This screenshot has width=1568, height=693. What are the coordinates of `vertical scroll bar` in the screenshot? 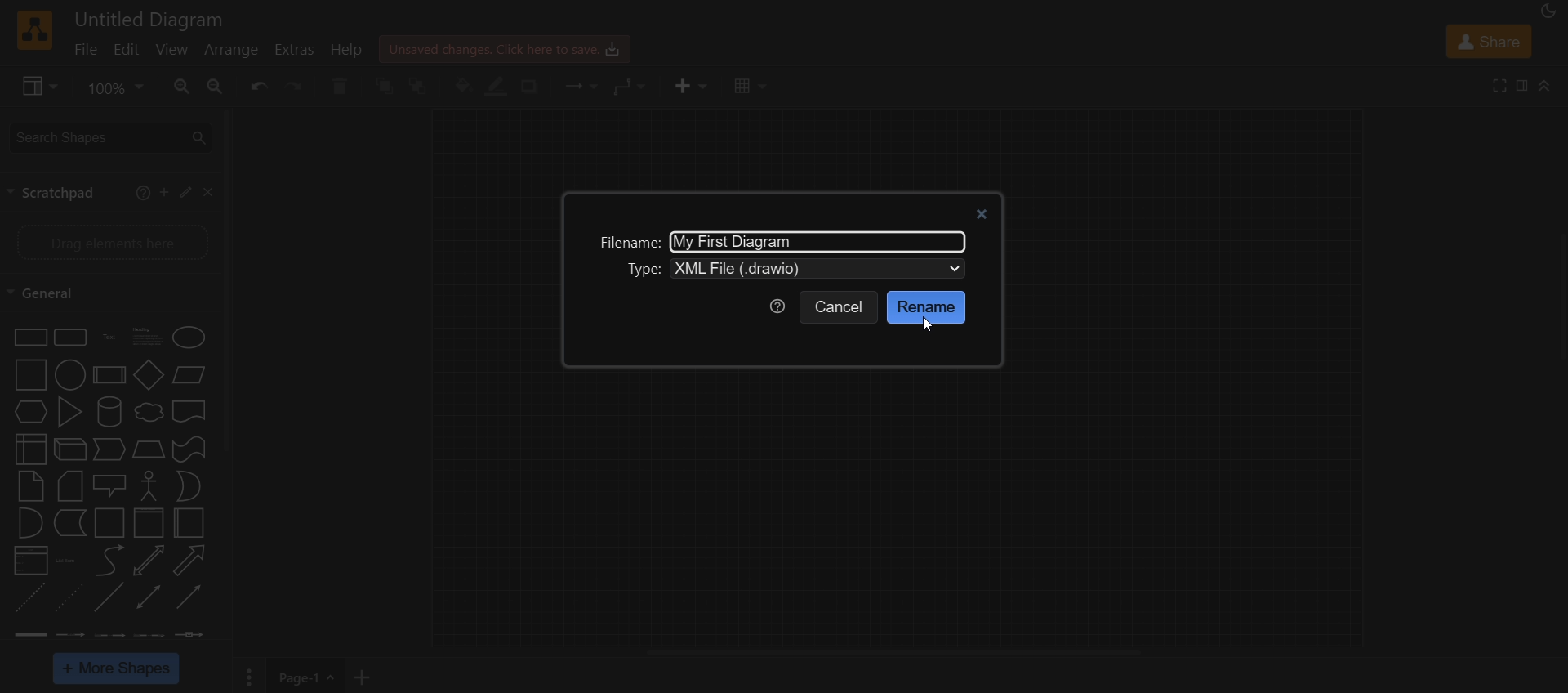 It's located at (229, 279).